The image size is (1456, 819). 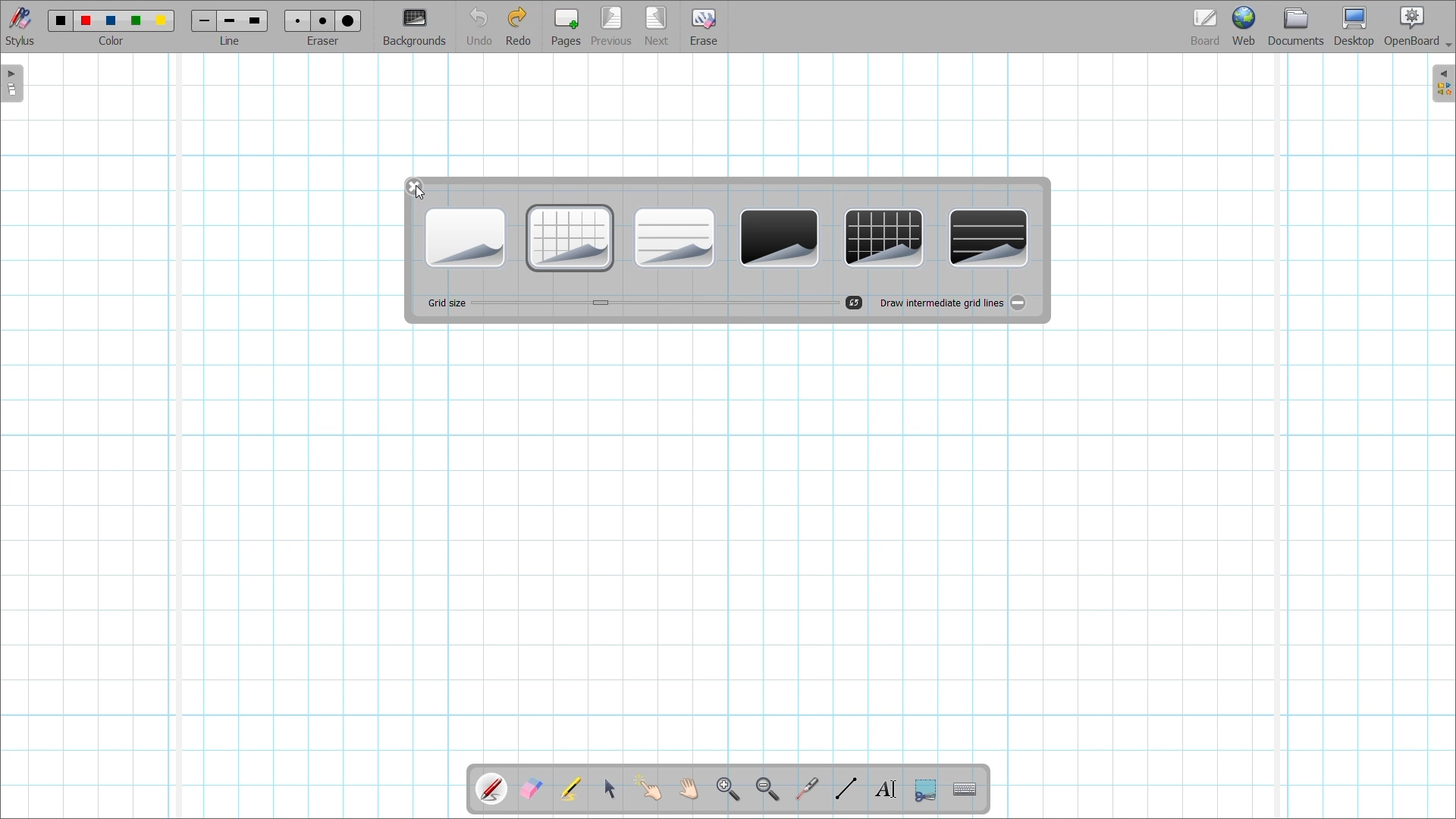 I want to click on Close background options, so click(x=414, y=187).